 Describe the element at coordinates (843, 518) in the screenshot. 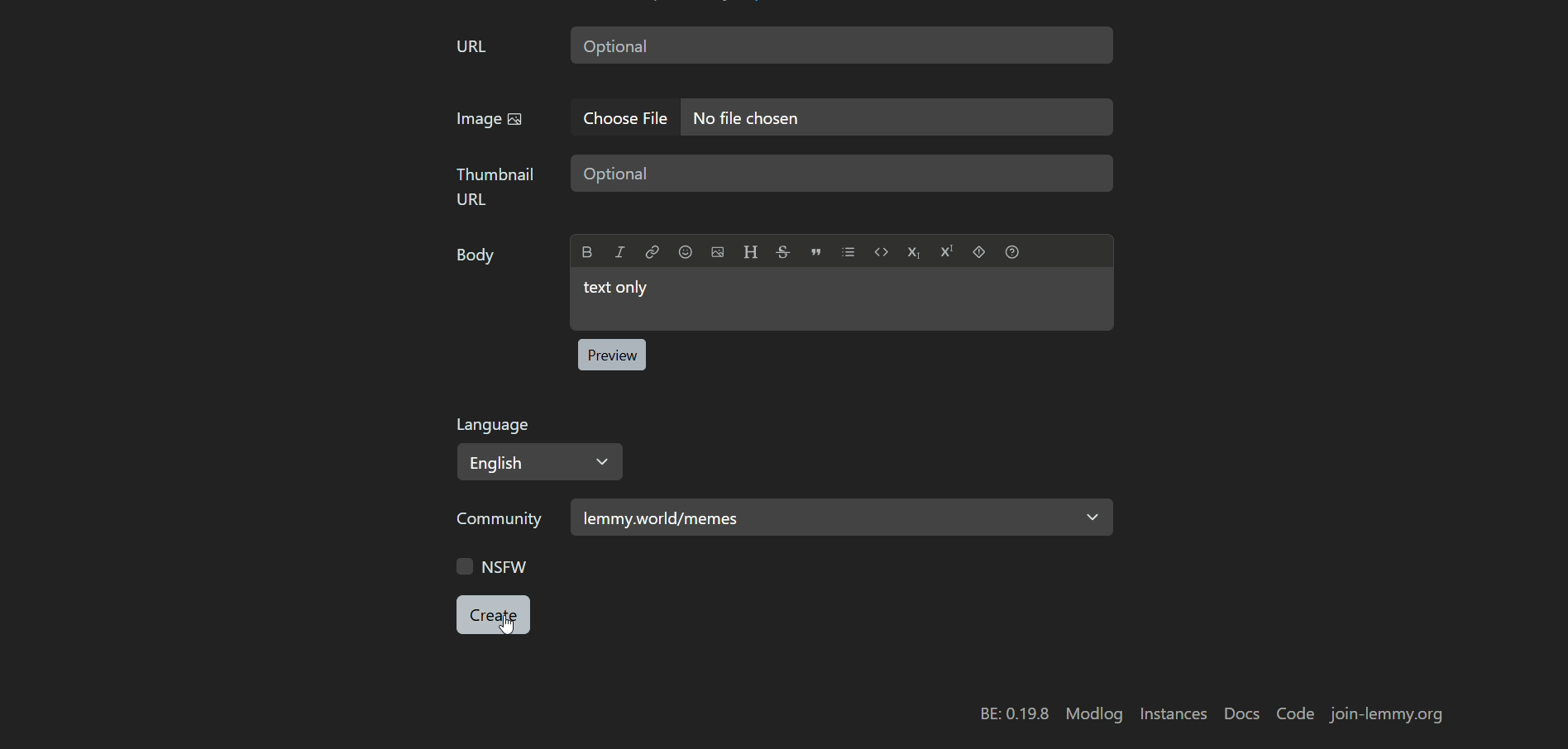

I see `category selected` at that location.